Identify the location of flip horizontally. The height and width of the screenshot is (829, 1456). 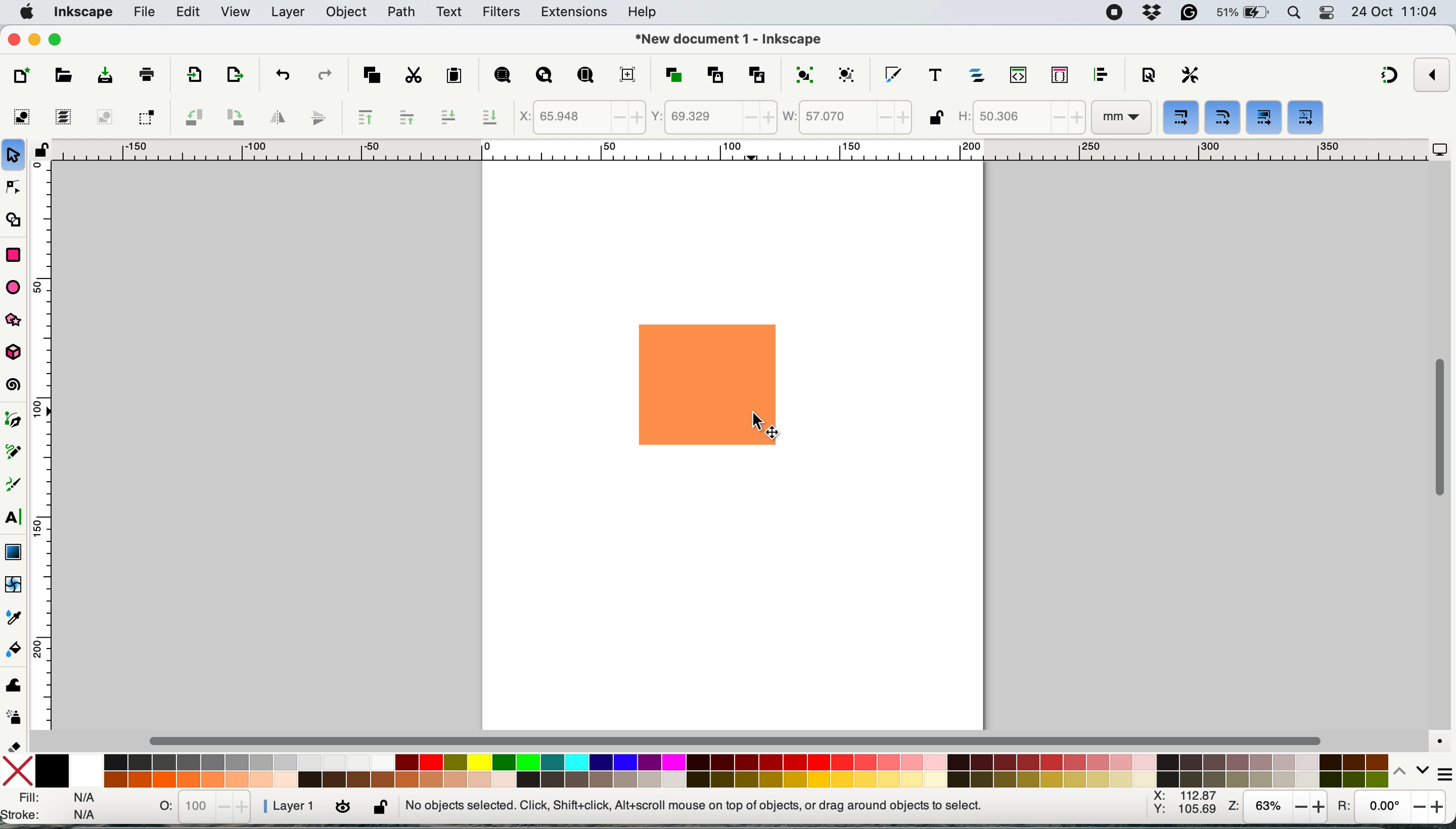
(275, 116).